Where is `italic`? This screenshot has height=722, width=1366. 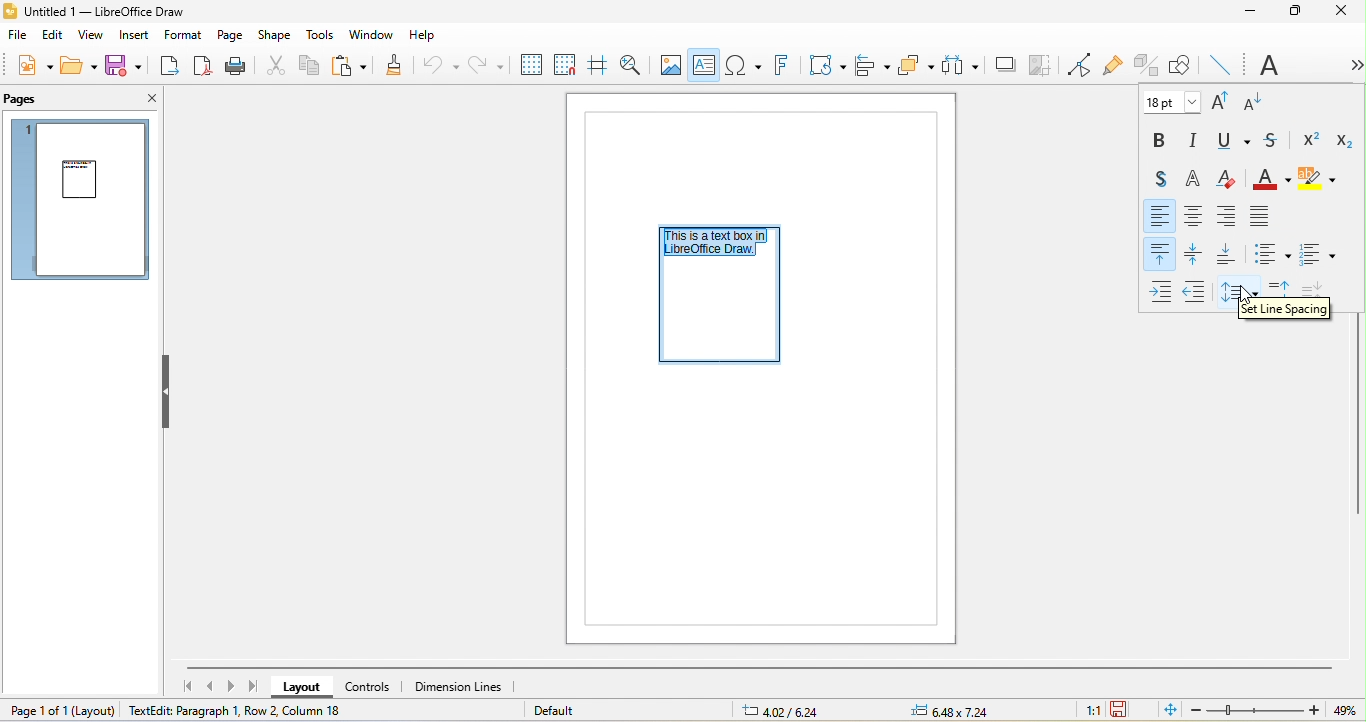 italic is located at coordinates (1199, 139).